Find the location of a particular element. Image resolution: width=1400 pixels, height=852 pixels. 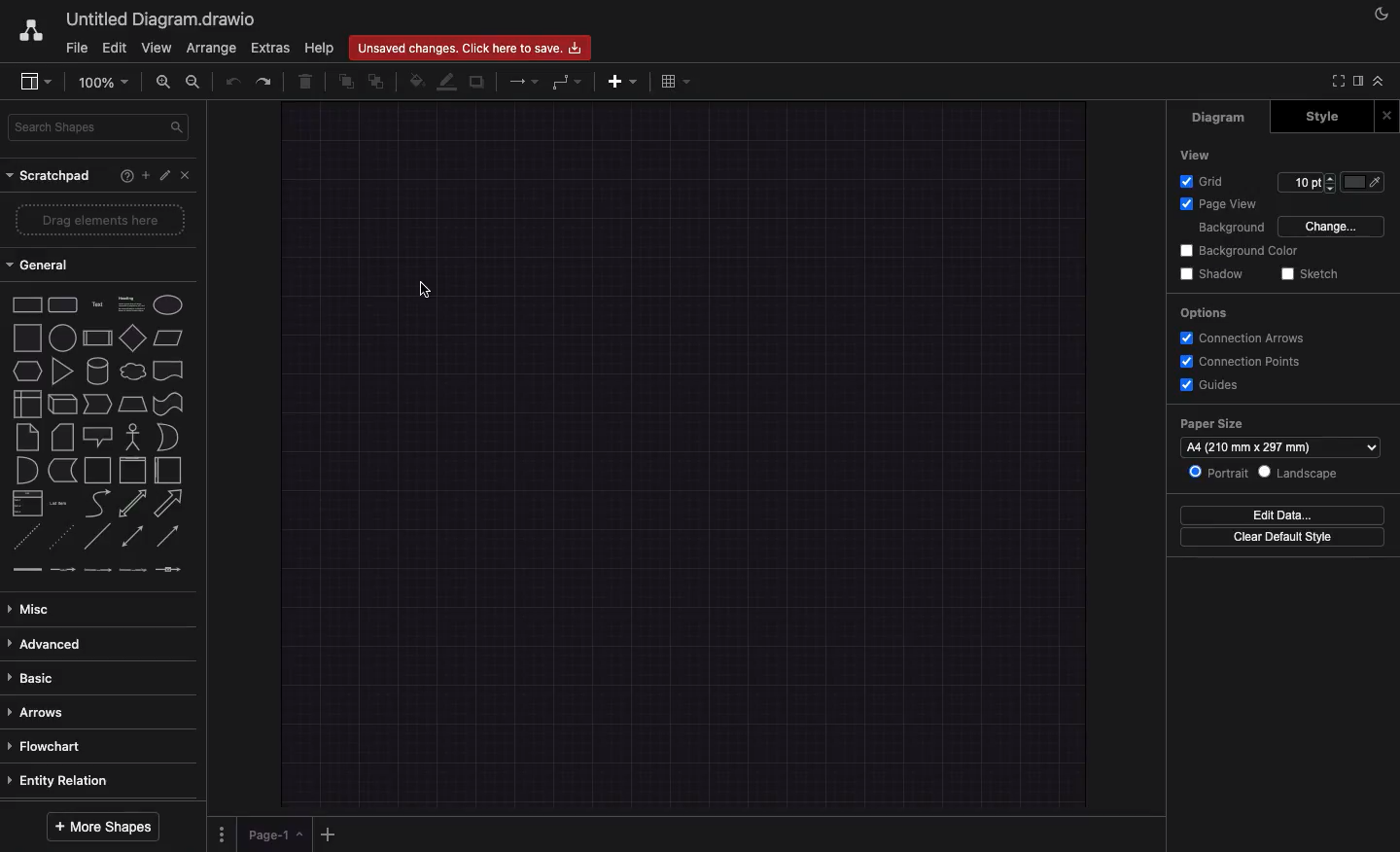

Night mode is located at coordinates (1384, 12).